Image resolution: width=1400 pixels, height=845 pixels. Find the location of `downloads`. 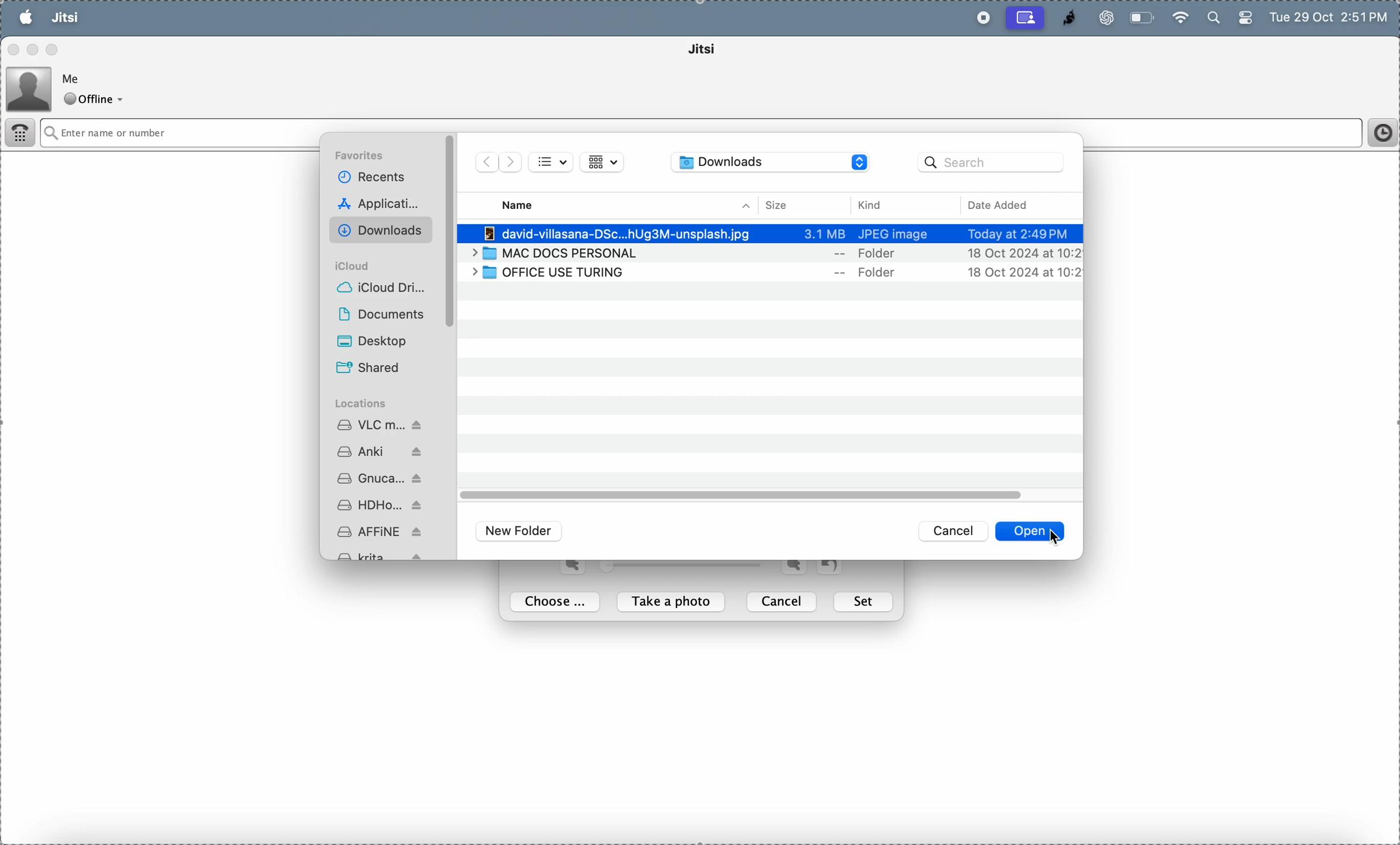

downloads is located at coordinates (383, 229).